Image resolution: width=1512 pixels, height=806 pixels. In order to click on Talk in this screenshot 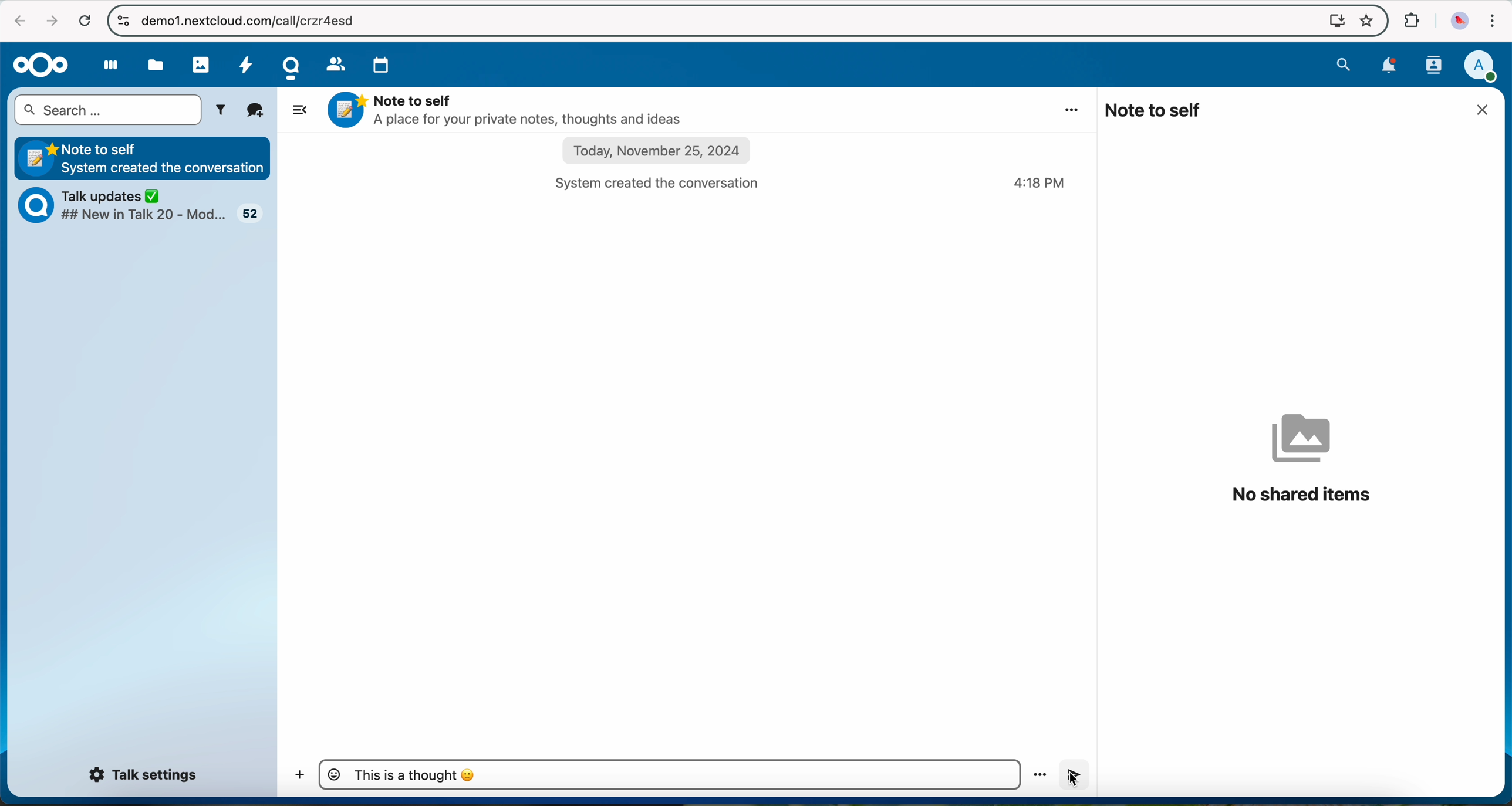, I will do `click(290, 67)`.